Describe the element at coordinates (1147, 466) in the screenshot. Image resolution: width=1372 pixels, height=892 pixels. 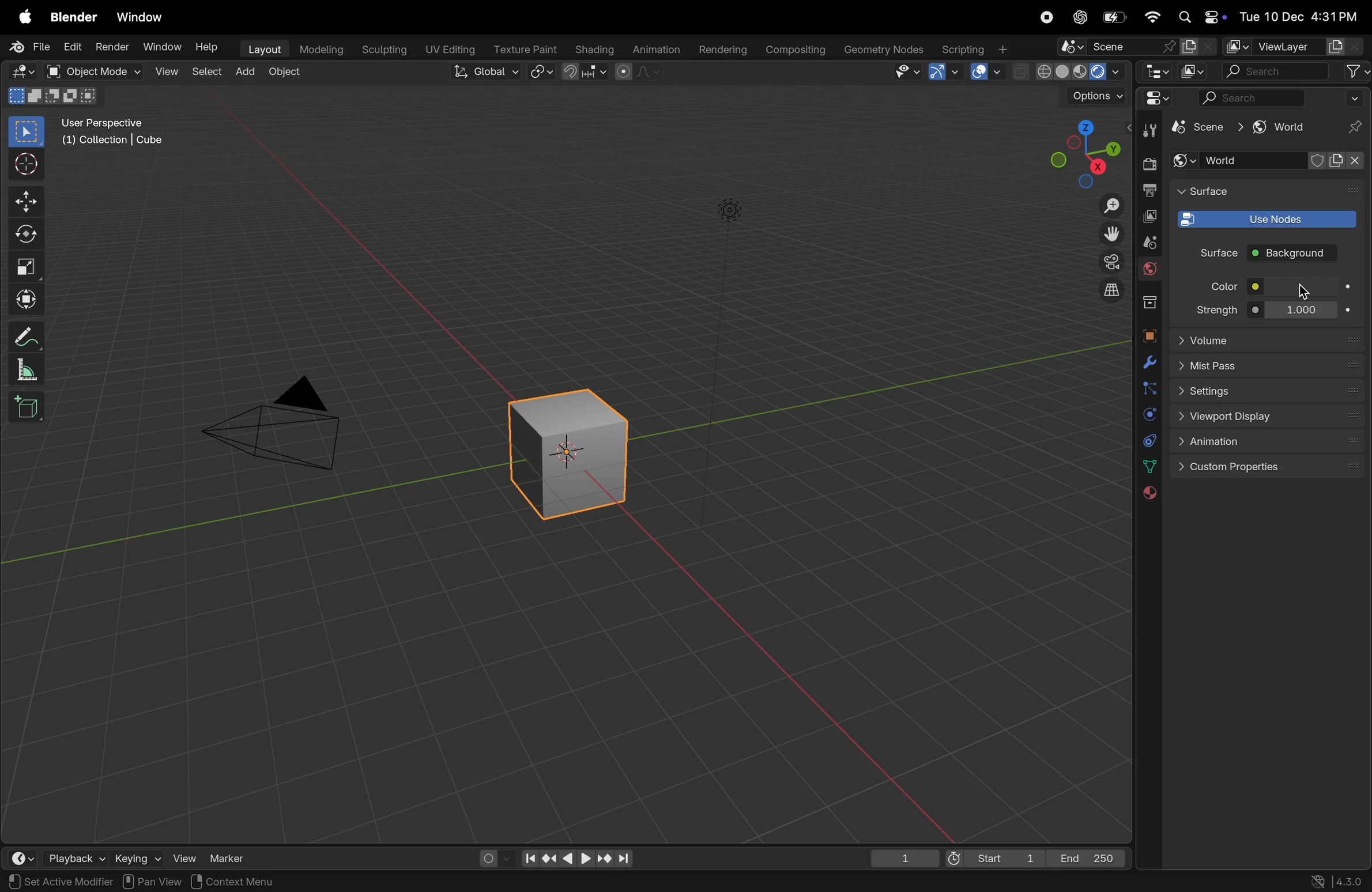
I see `data ` at that location.